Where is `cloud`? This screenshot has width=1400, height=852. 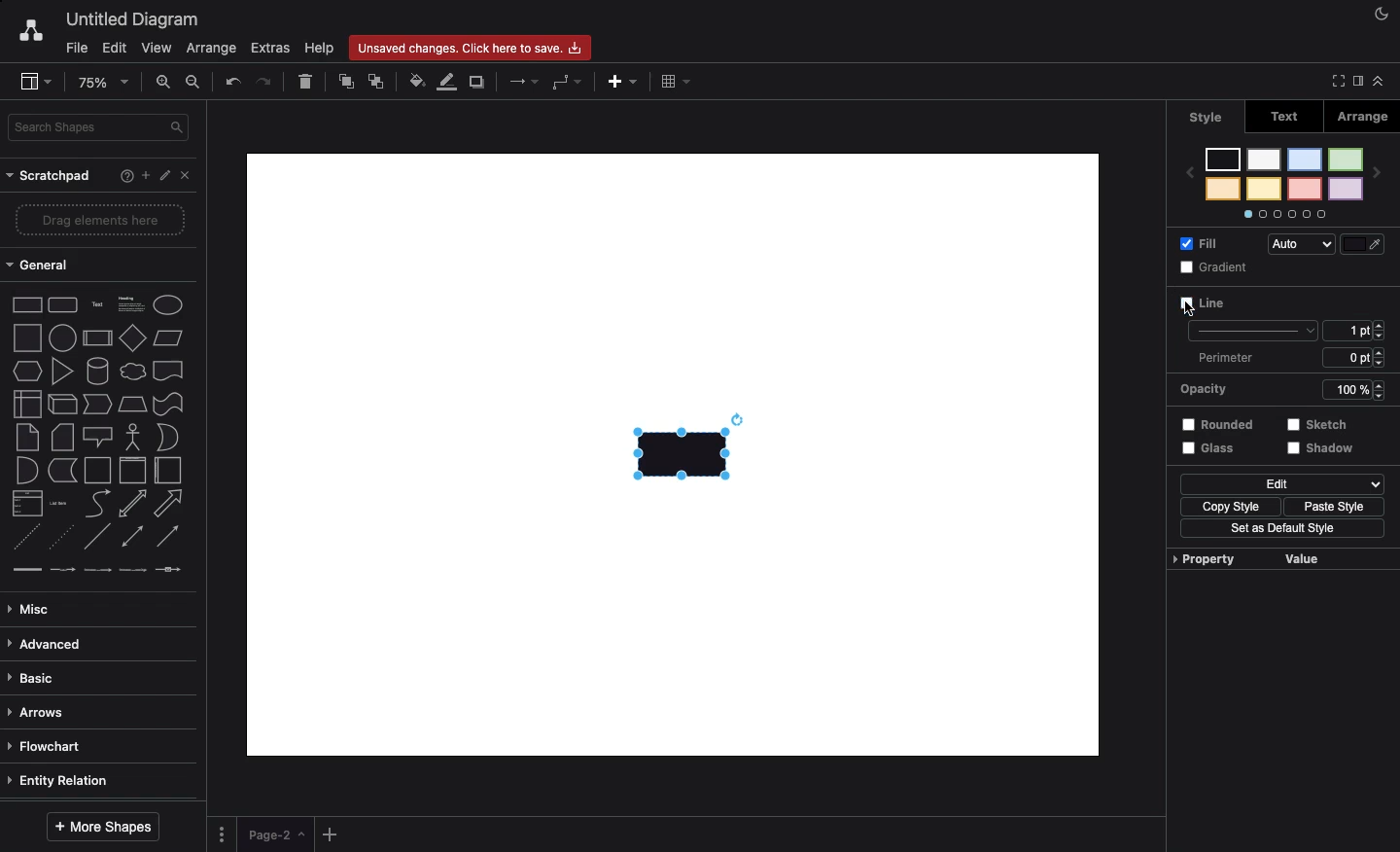 cloud is located at coordinates (130, 373).